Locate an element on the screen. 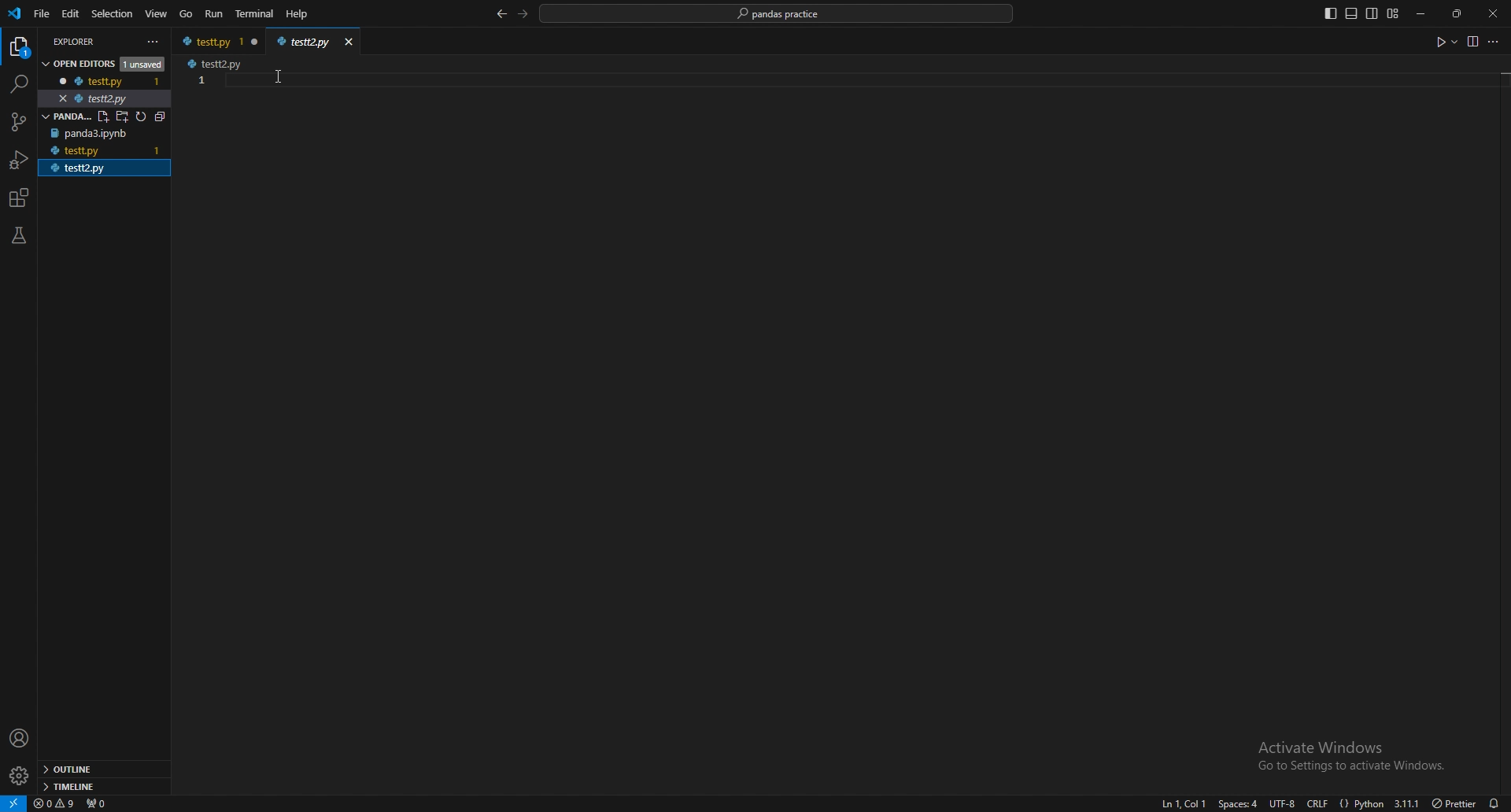  timeline is located at coordinates (102, 785).